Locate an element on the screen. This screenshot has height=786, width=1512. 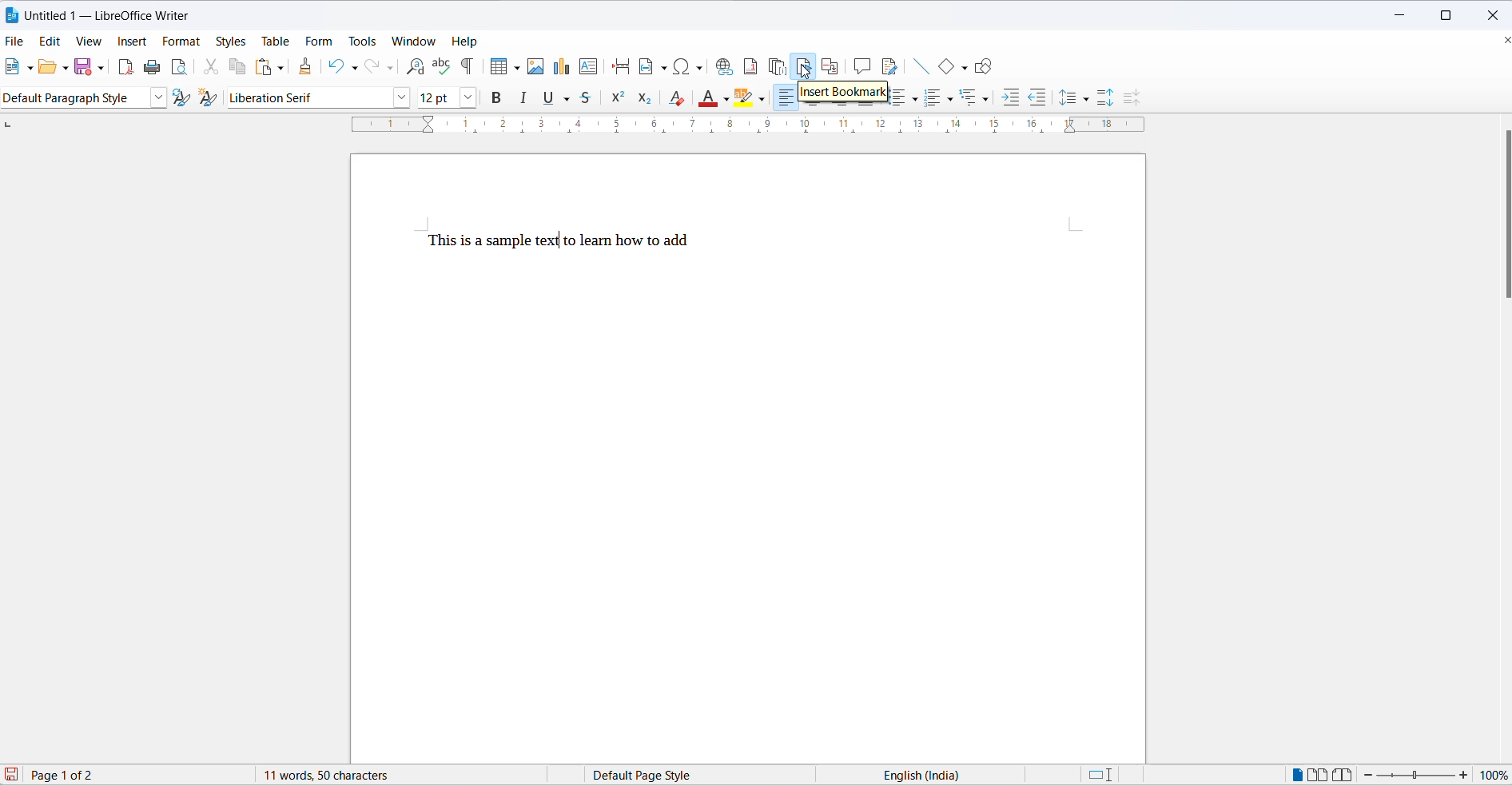
track changes is located at coordinates (891, 68).